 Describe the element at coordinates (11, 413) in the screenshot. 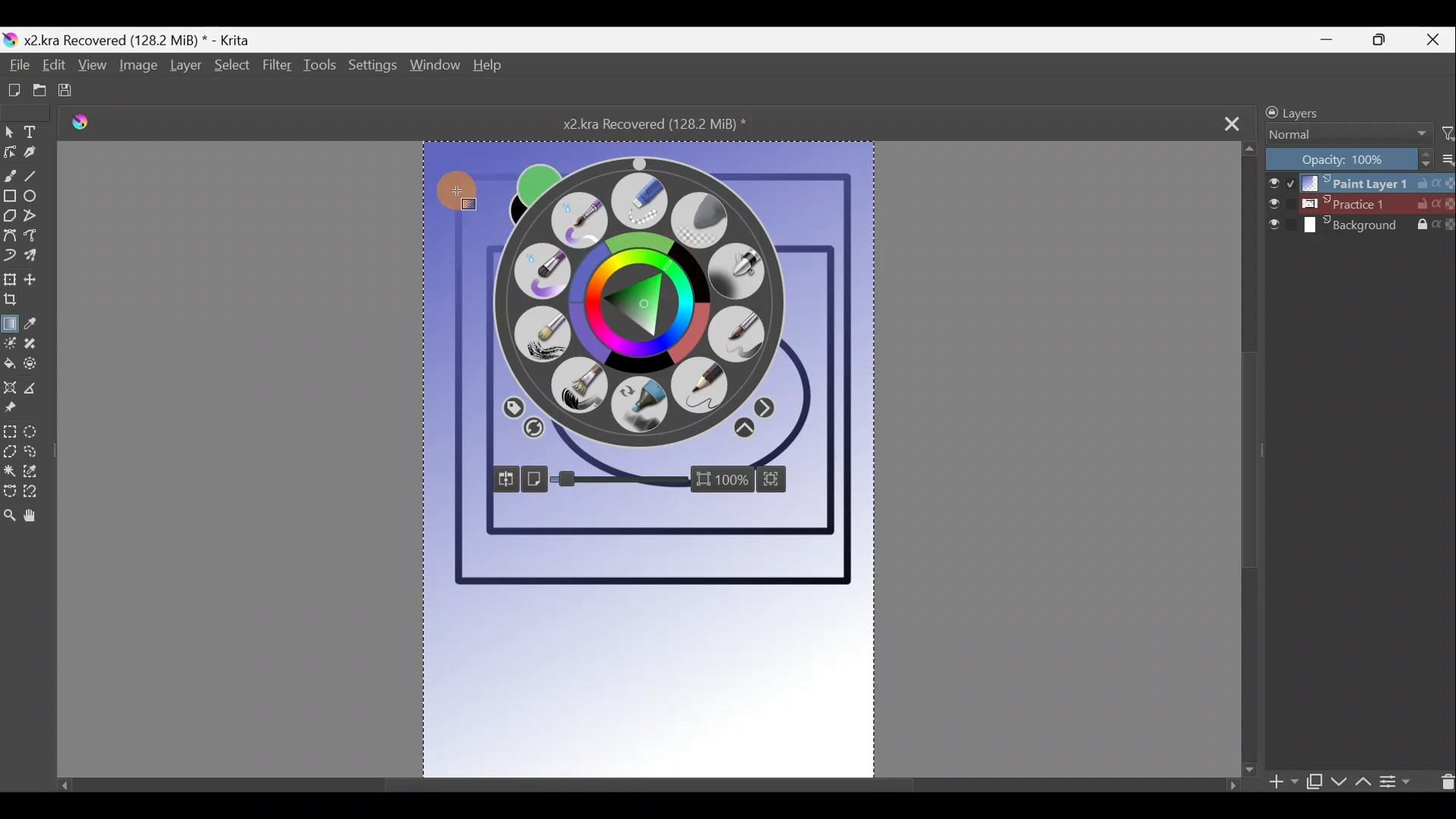

I see `Reference images tool` at that location.